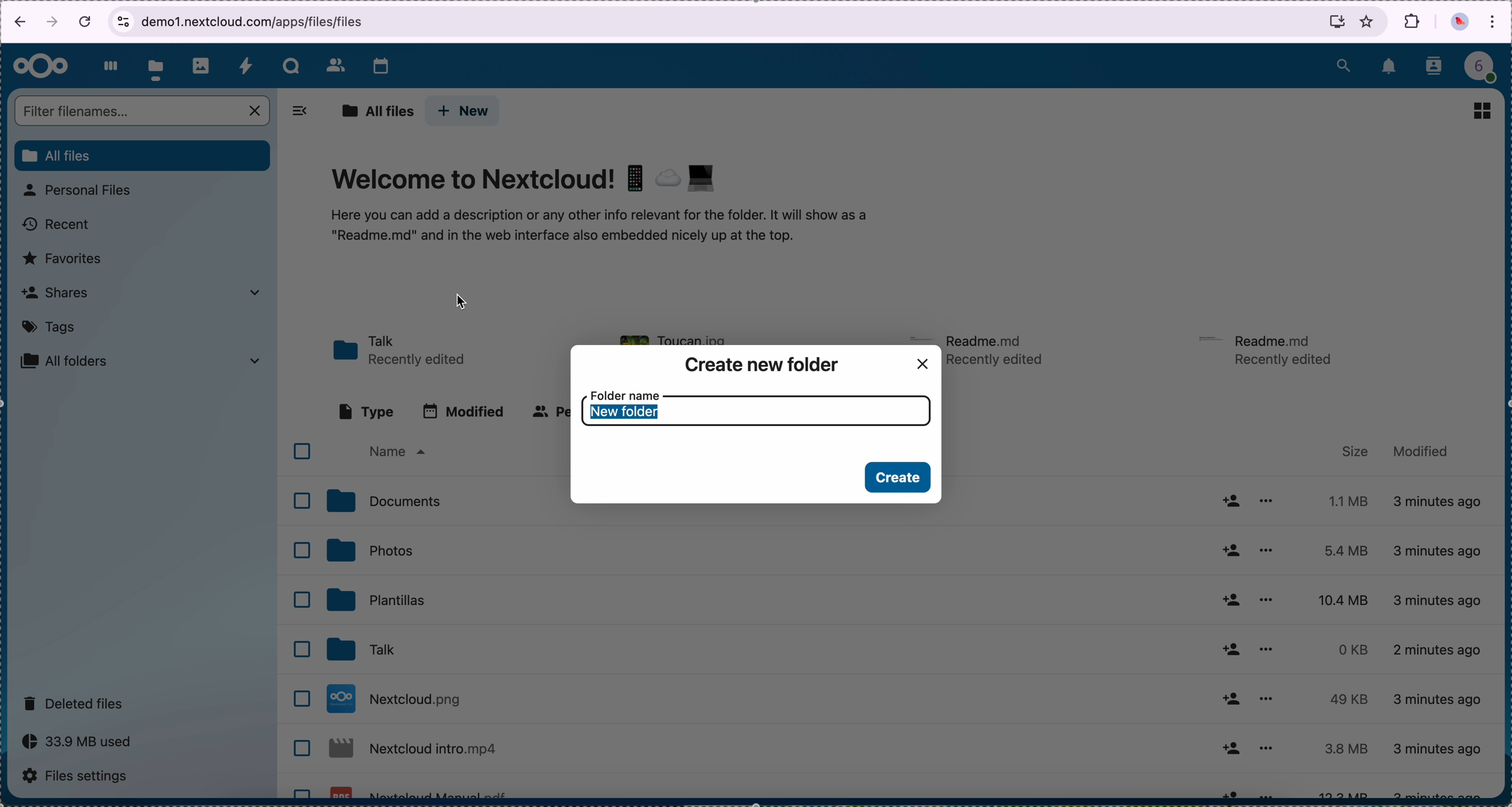 The height and width of the screenshot is (807, 1512). I want to click on recent, so click(58, 225).